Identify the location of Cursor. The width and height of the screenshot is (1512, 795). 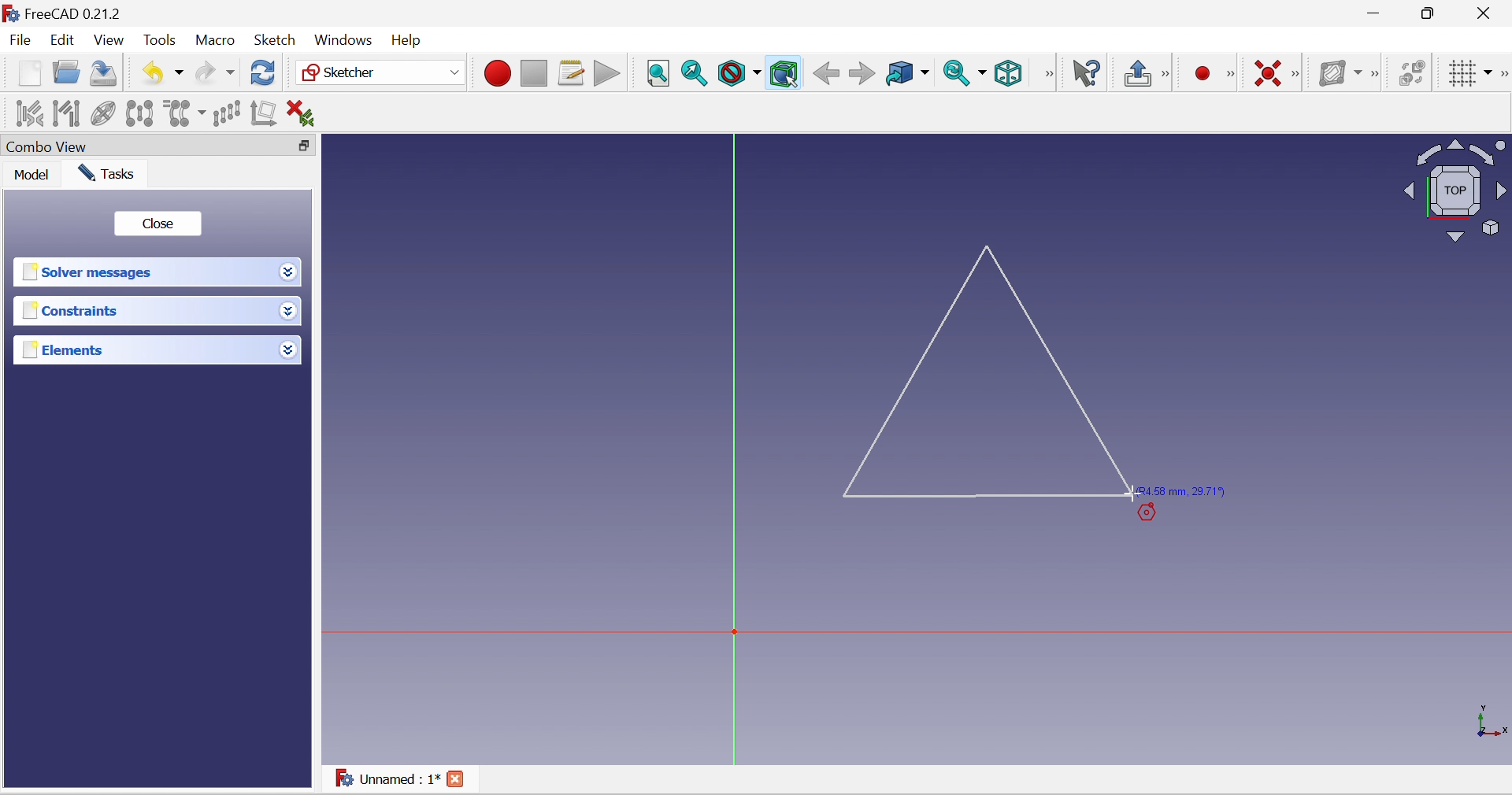
(1130, 493).